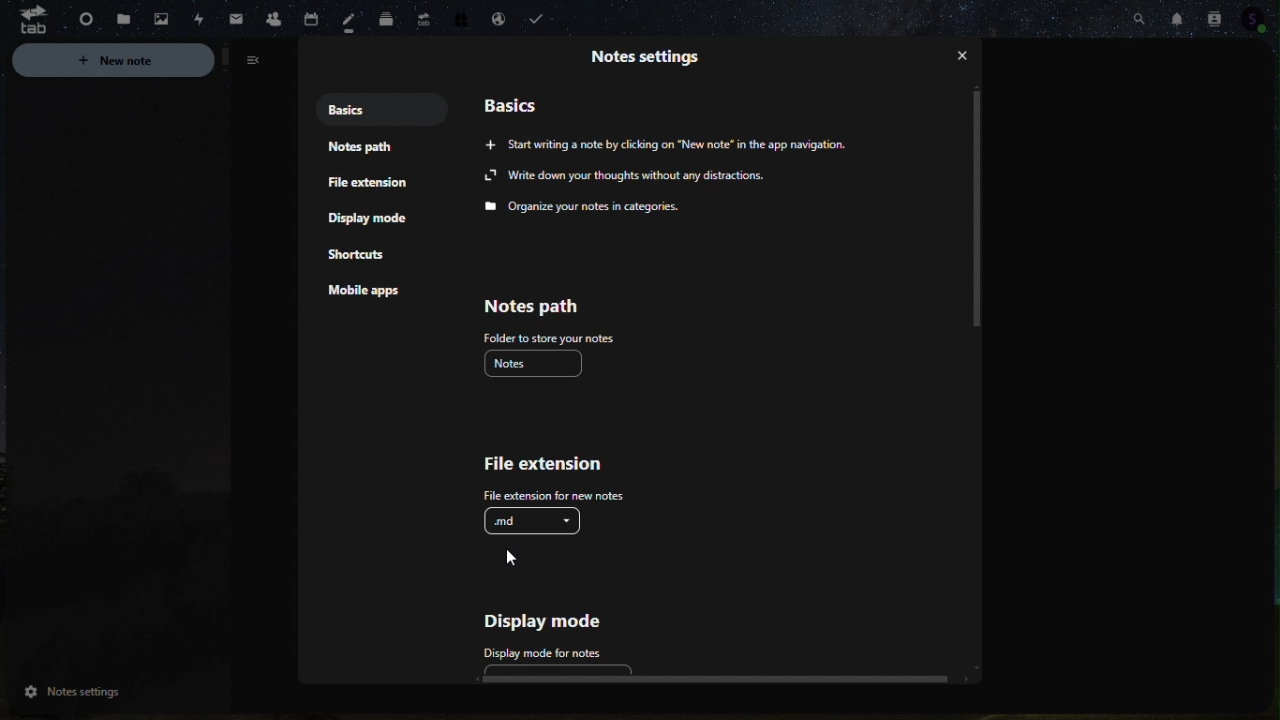  Describe the element at coordinates (111, 693) in the screenshot. I see `notes settings` at that location.